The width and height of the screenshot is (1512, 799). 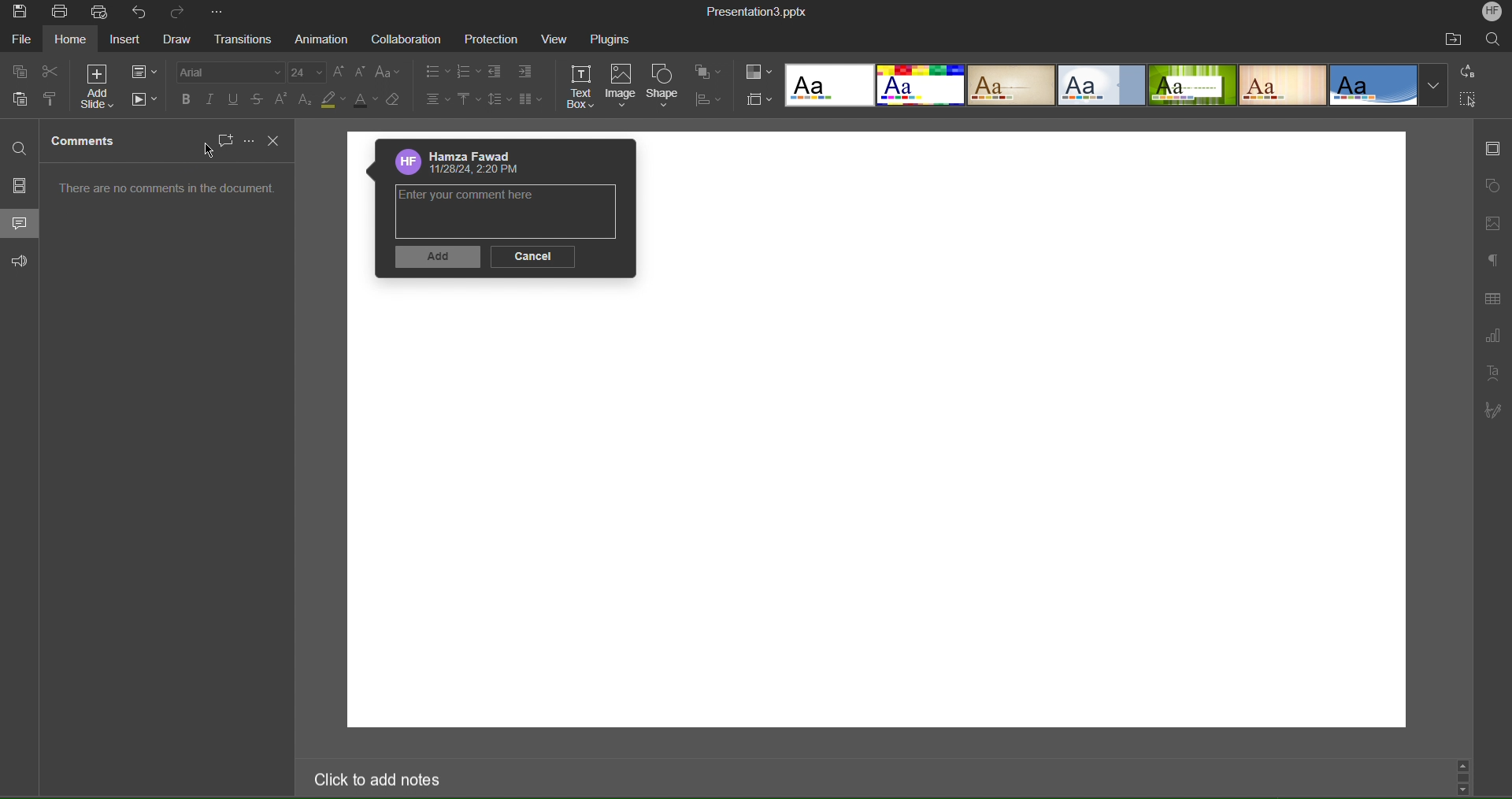 I want to click on Increase size, so click(x=339, y=73).